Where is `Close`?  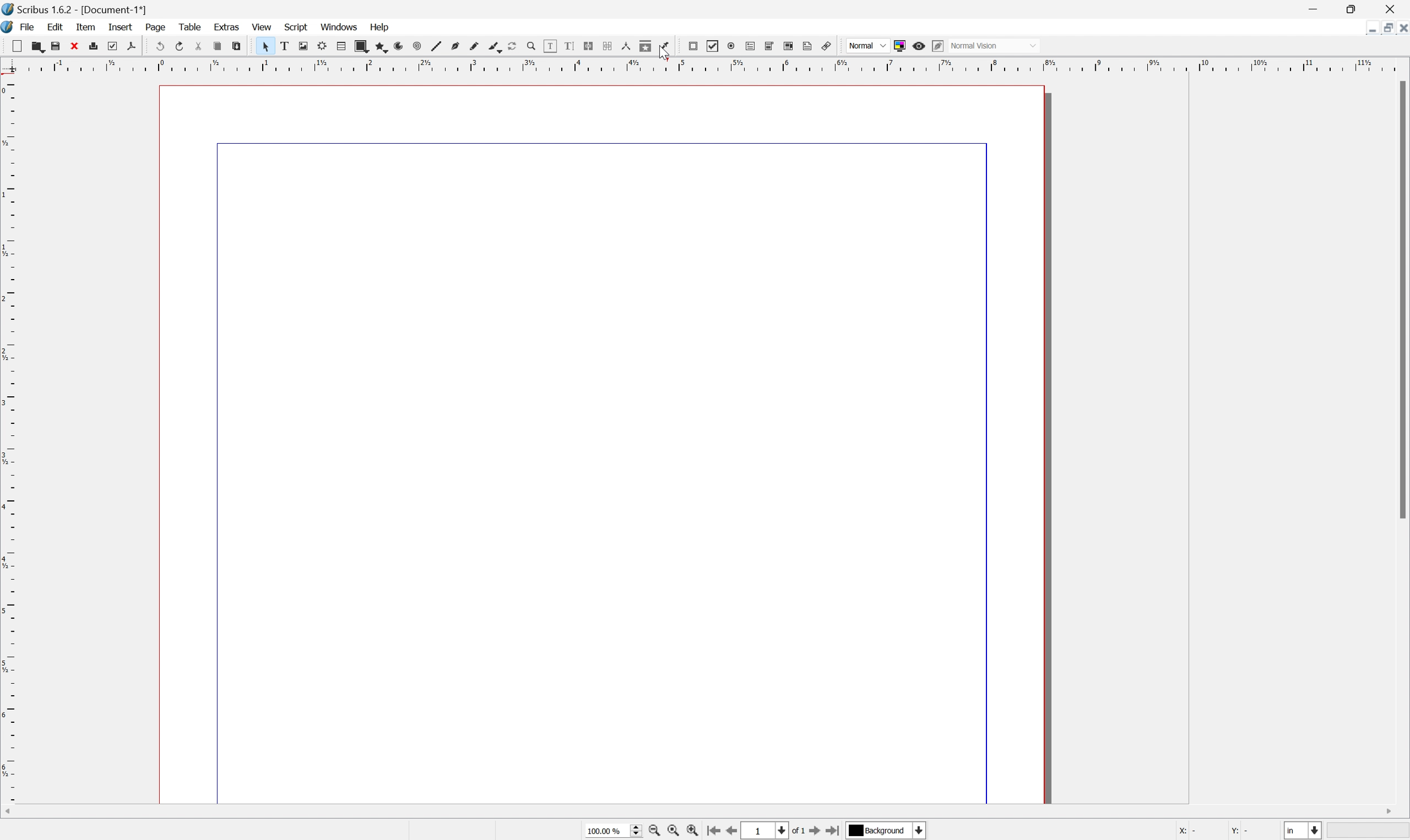 Close is located at coordinates (1392, 9).